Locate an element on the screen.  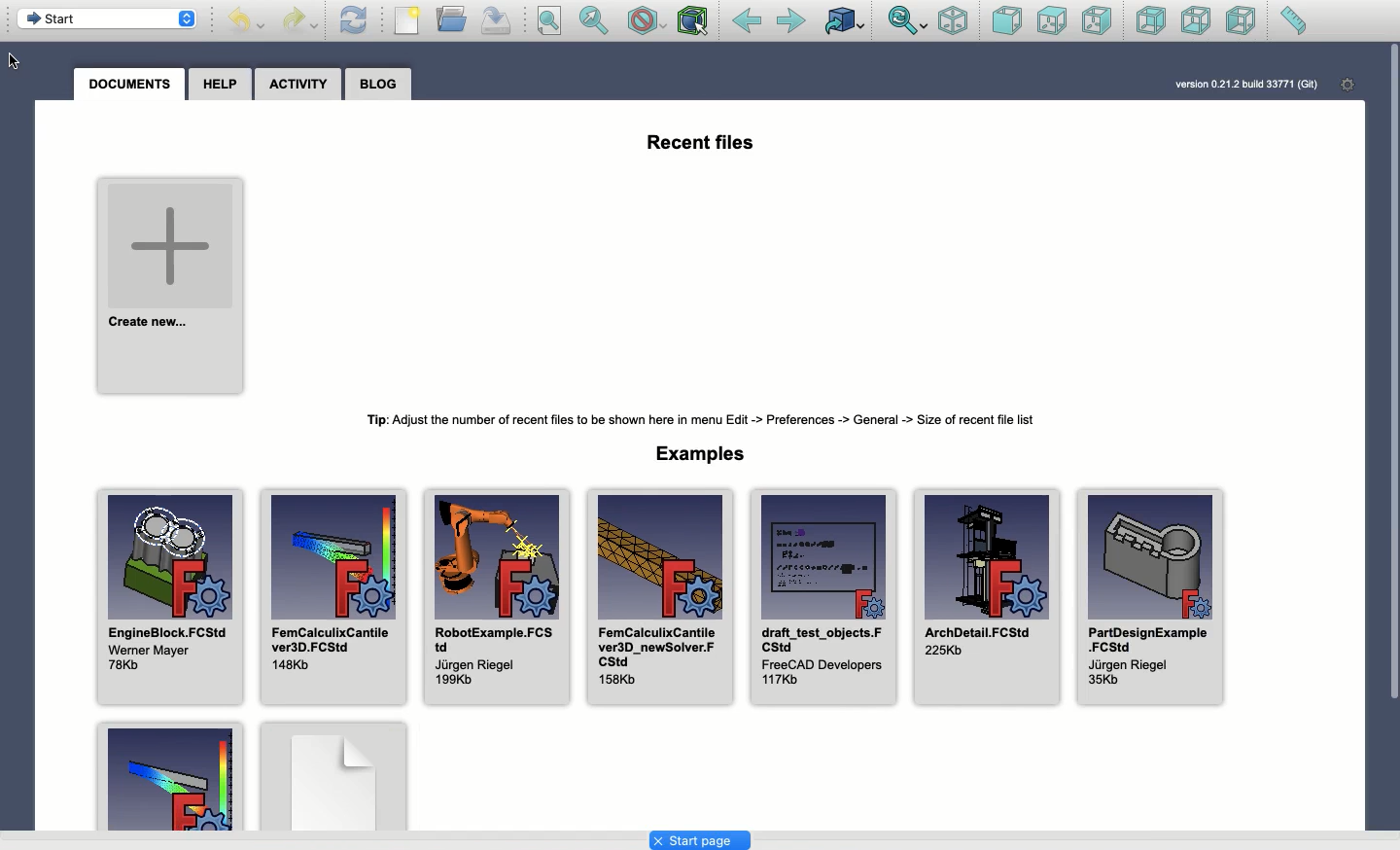
Tip: Adjust the number of recent files to be shown here in menu Edit-> Preferences-> General-> Size of recent file list is located at coordinates (702, 420).